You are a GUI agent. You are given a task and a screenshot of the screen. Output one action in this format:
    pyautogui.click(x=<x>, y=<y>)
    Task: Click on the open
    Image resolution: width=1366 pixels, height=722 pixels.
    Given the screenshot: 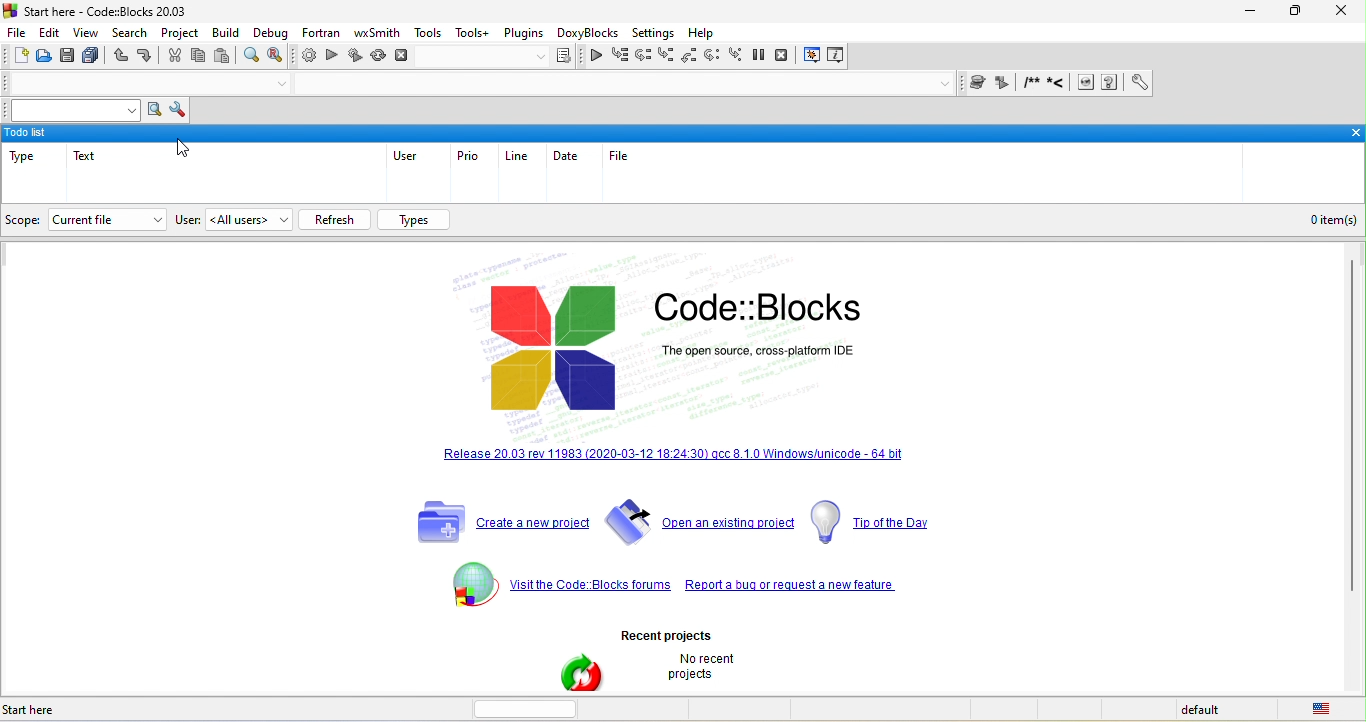 What is the action you would take?
    pyautogui.click(x=46, y=56)
    